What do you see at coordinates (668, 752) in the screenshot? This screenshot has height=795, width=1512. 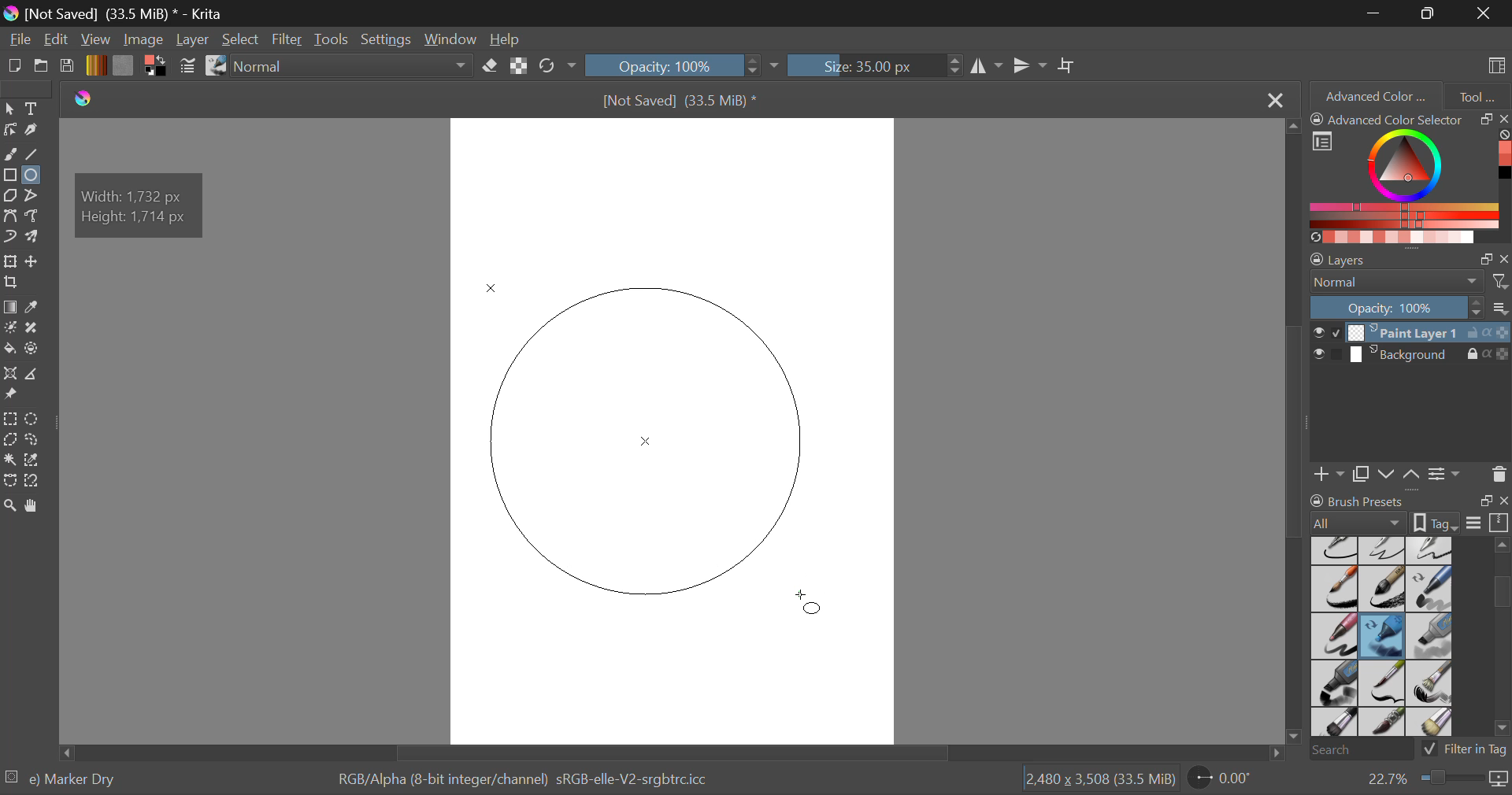 I see `Scroll Bar` at bounding box center [668, 752].